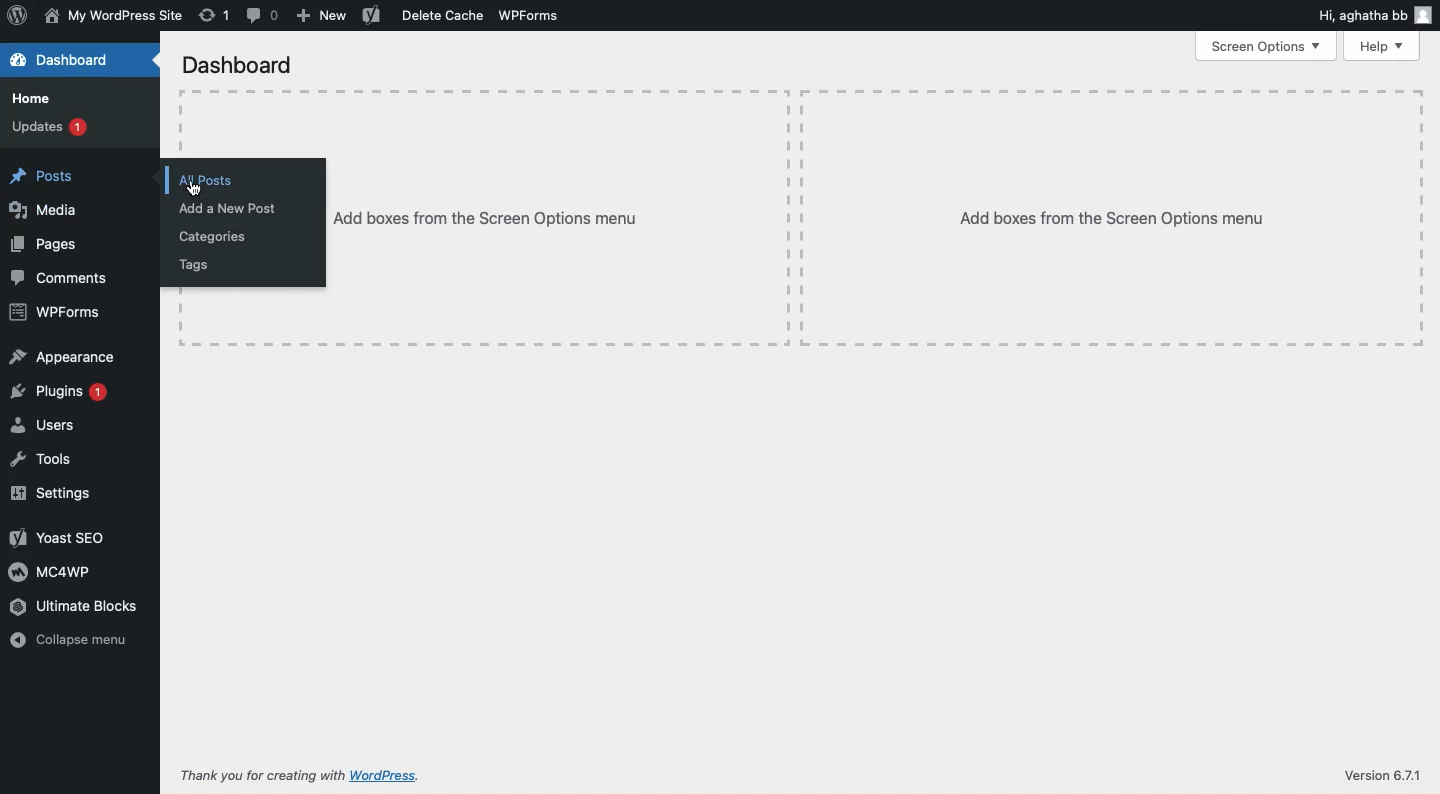 This screenshot has height=794, width=1440. I want to click on Hi user, so click(1375, 16).